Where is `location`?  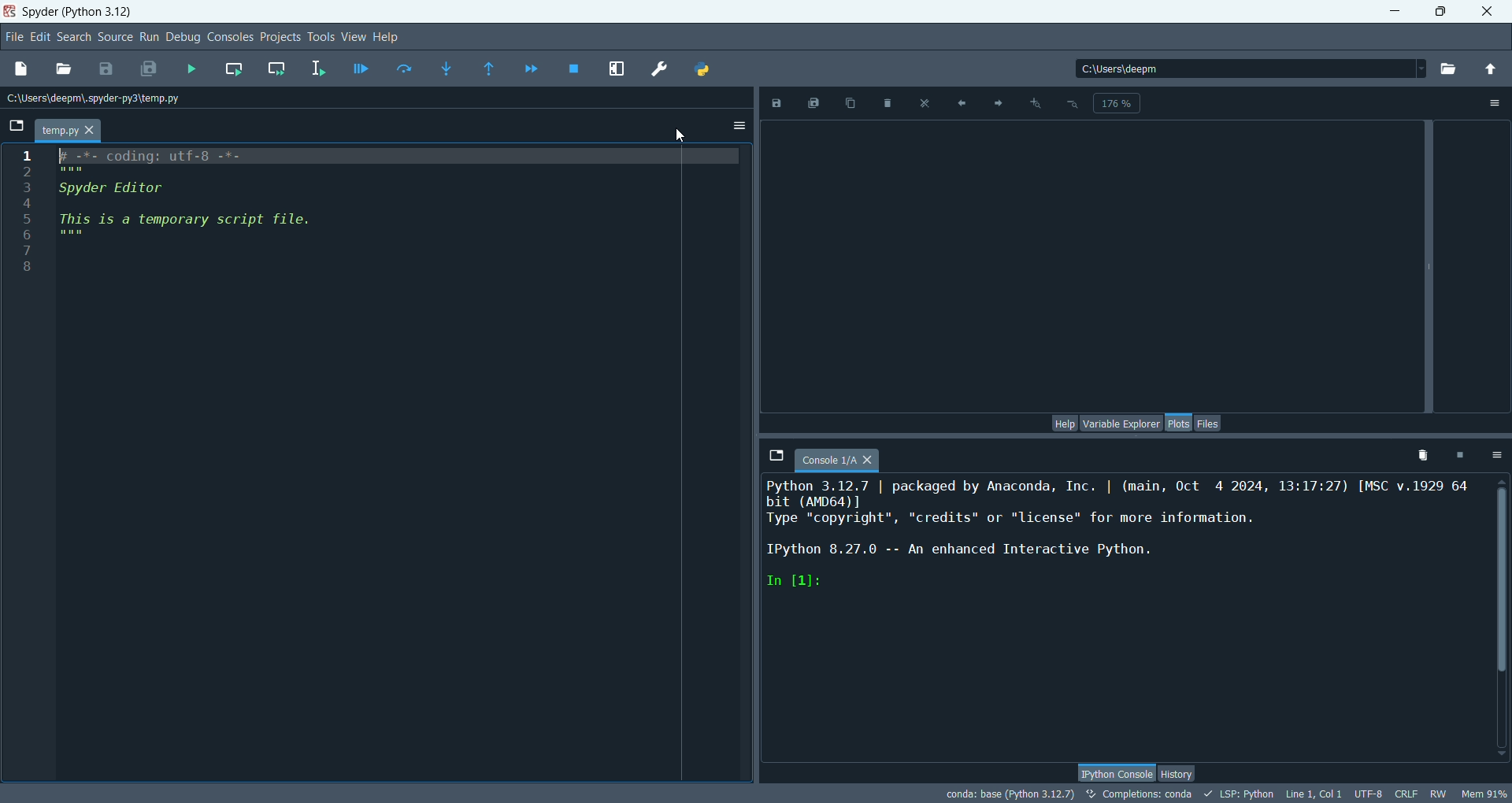
location is located at coordinates (1251, 69).